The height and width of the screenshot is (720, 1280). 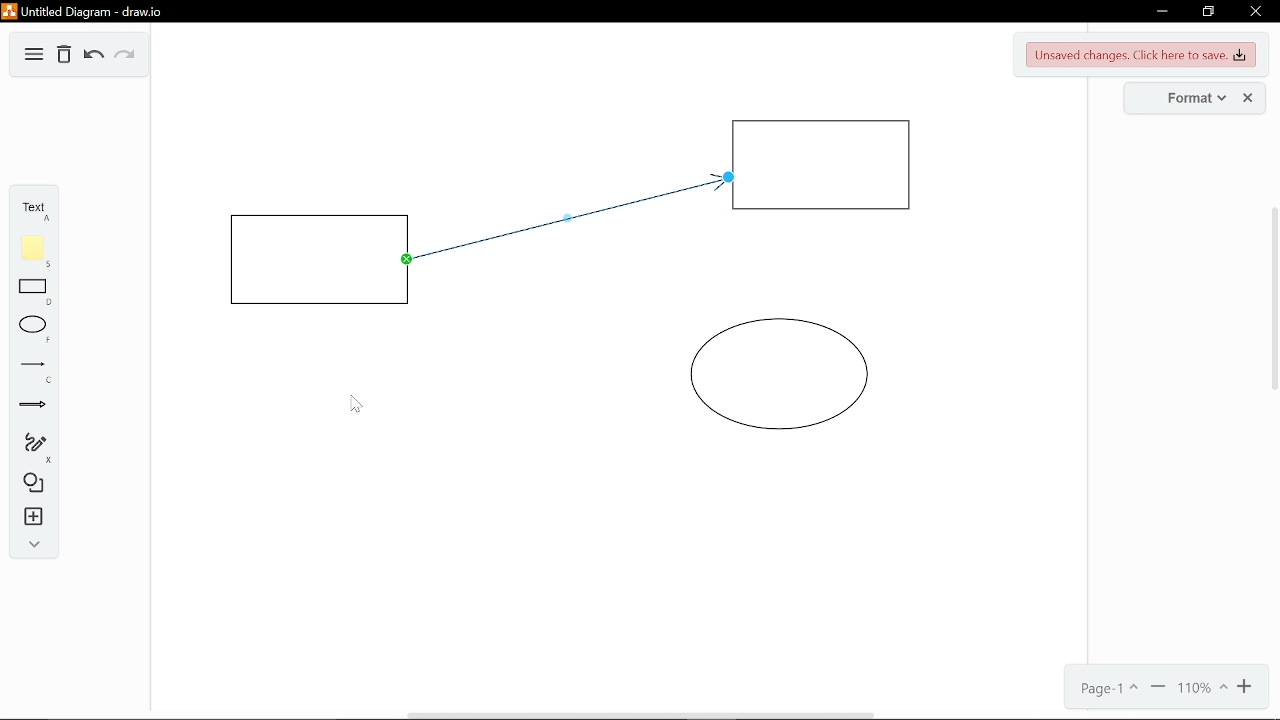 I want to click on Close, so click(x=1256, y=11).